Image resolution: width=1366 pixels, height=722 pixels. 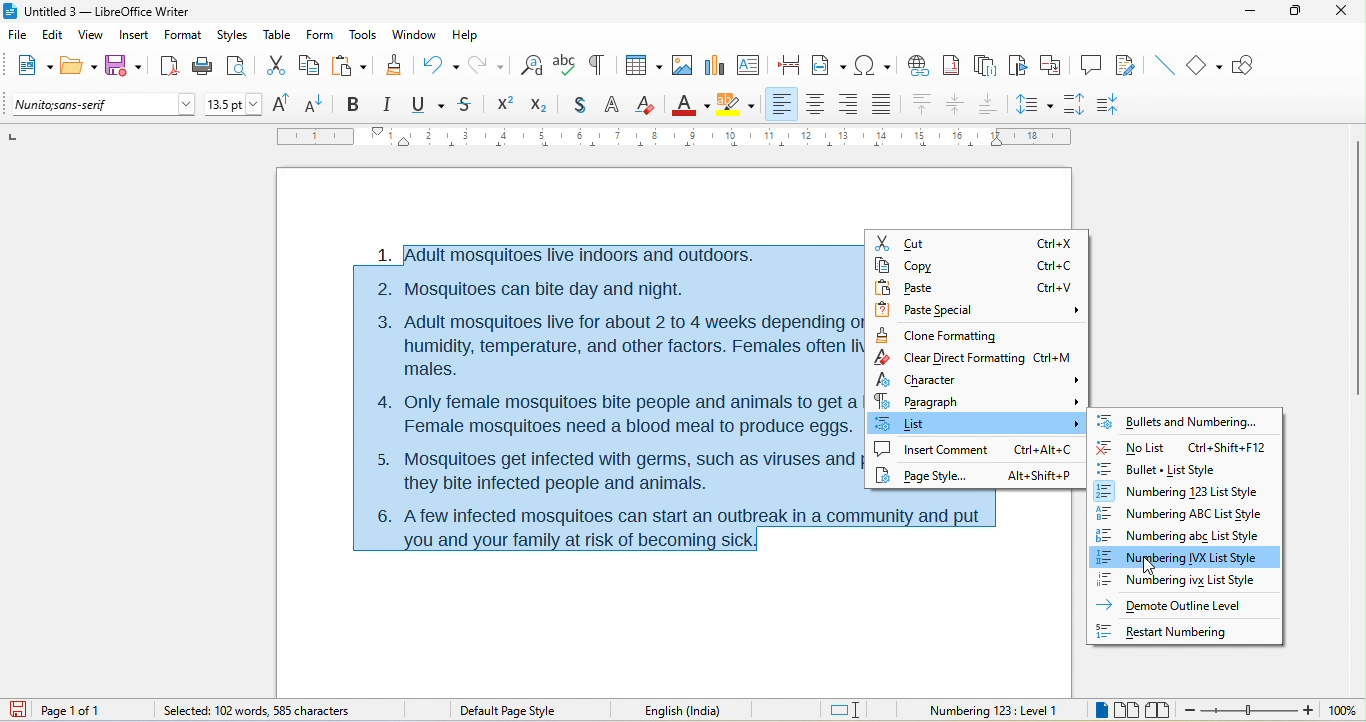 What do you see at coordinates (94, 35) in the screenshot?
I see `view` at bounding box center [94, 35].